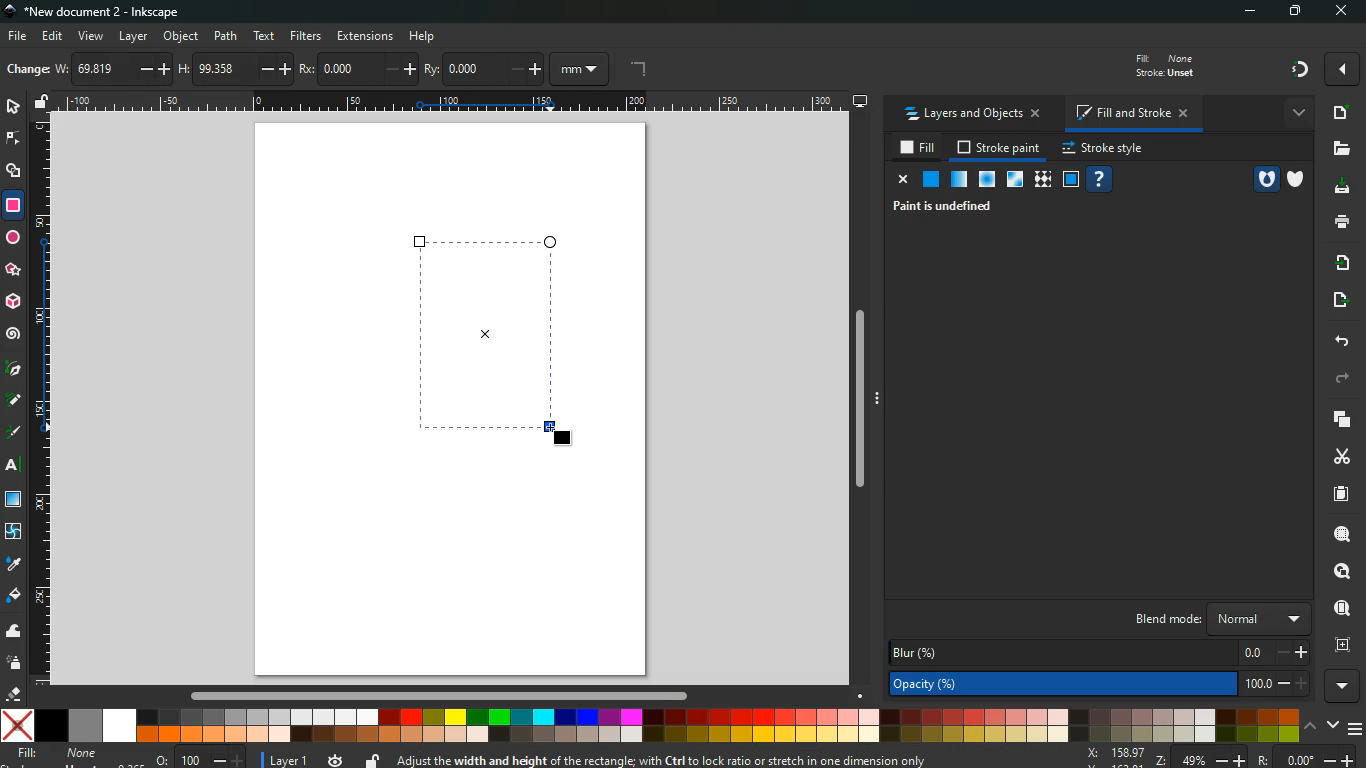 The image size is (1366, 768). Describe the element at coordinates (917, 149) in the screenshot. I see `fill` at that location.